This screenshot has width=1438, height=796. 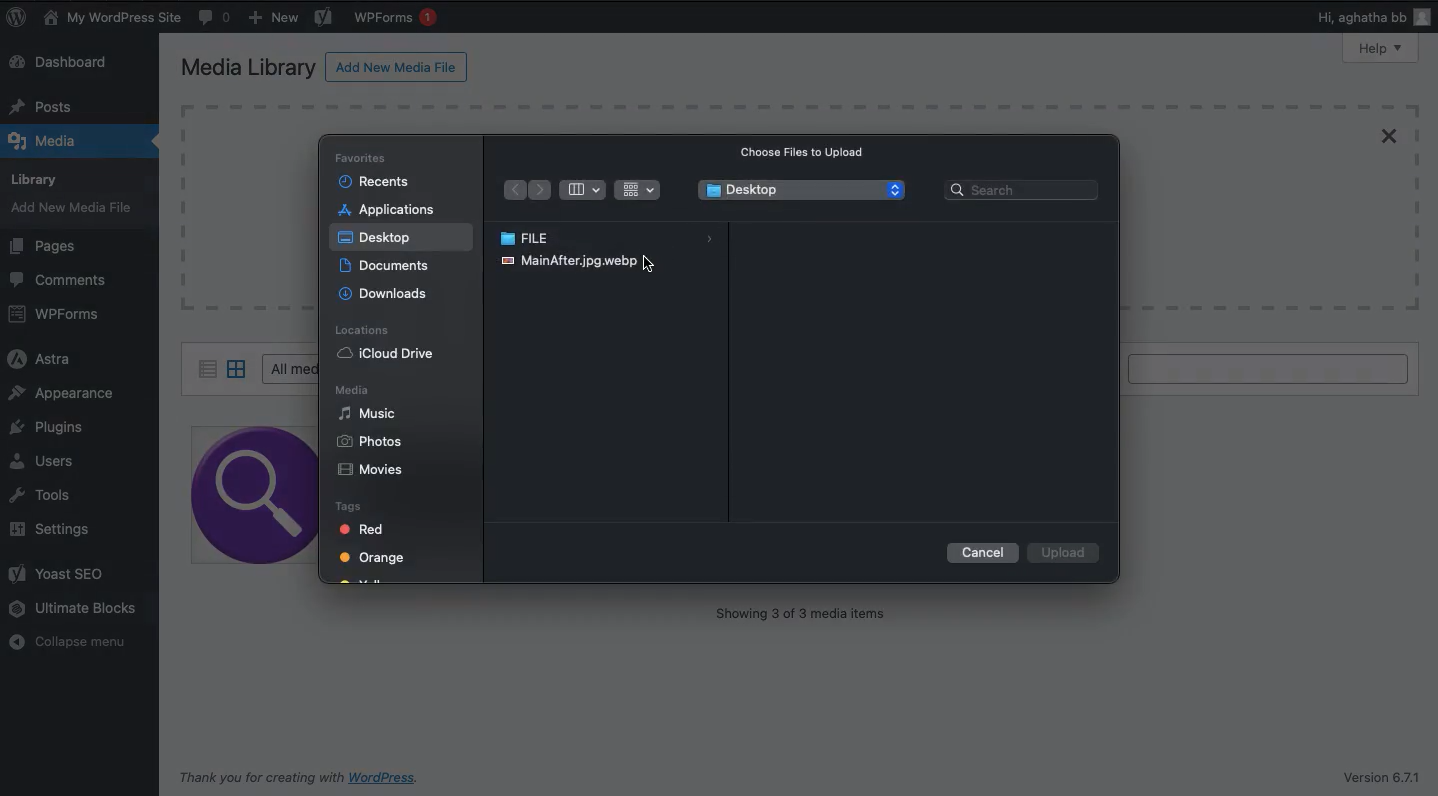 I want to click on Upload, so click(x=1065, y=552).